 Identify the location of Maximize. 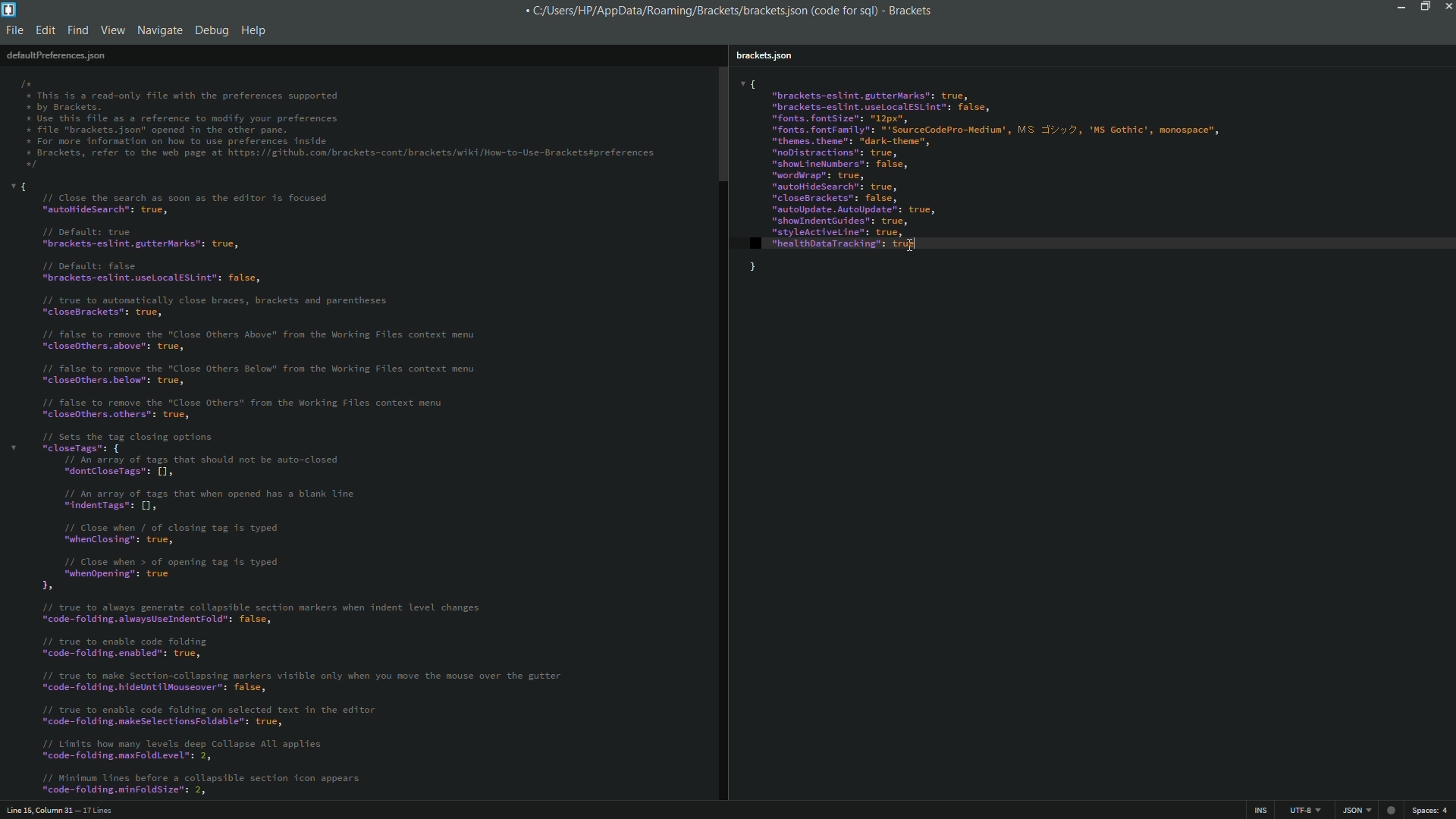
(1423, 6).